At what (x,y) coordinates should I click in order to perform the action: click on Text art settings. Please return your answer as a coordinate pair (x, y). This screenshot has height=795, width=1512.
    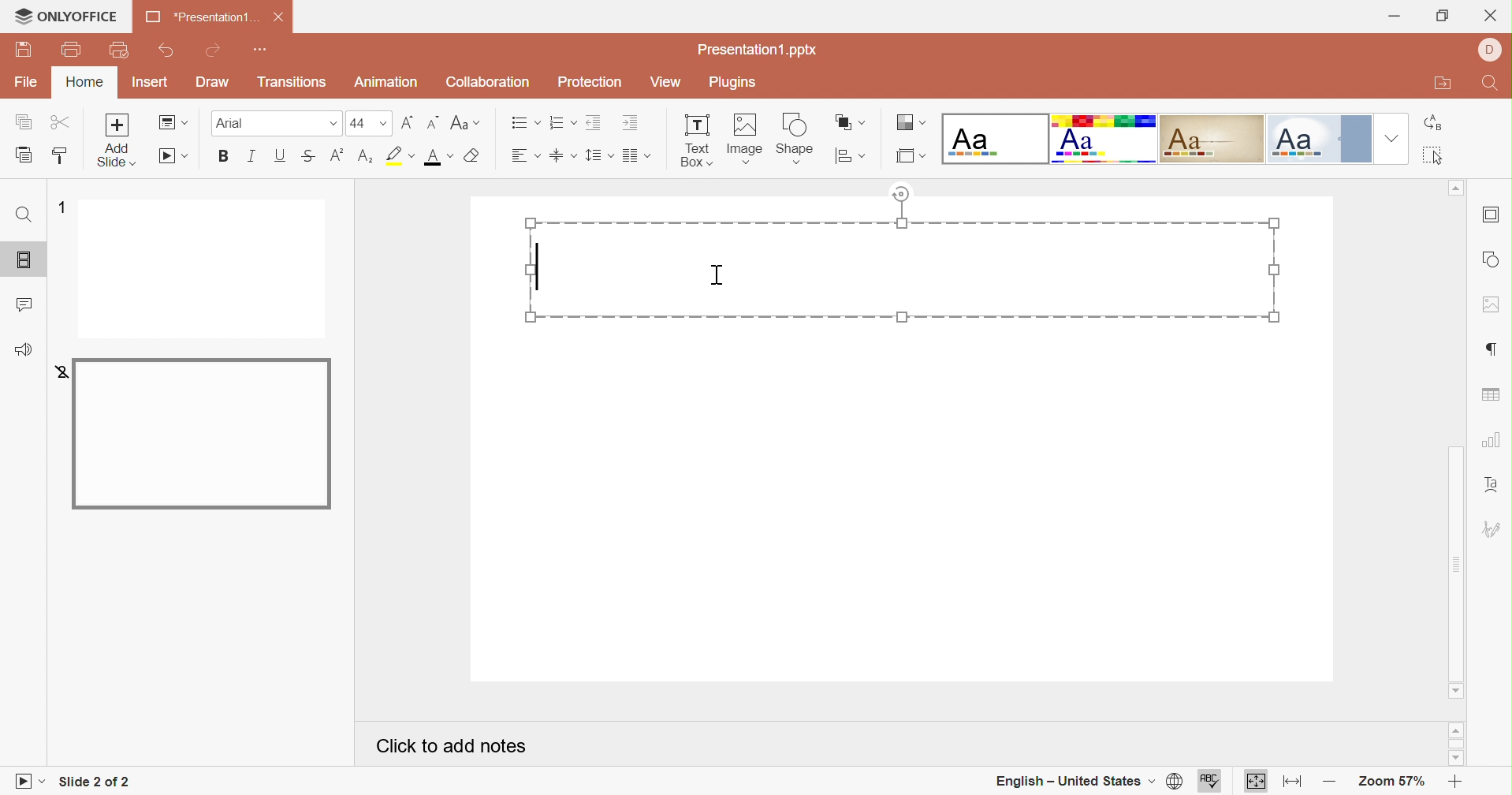
    Looking at the image, I should click on (1497, 486).